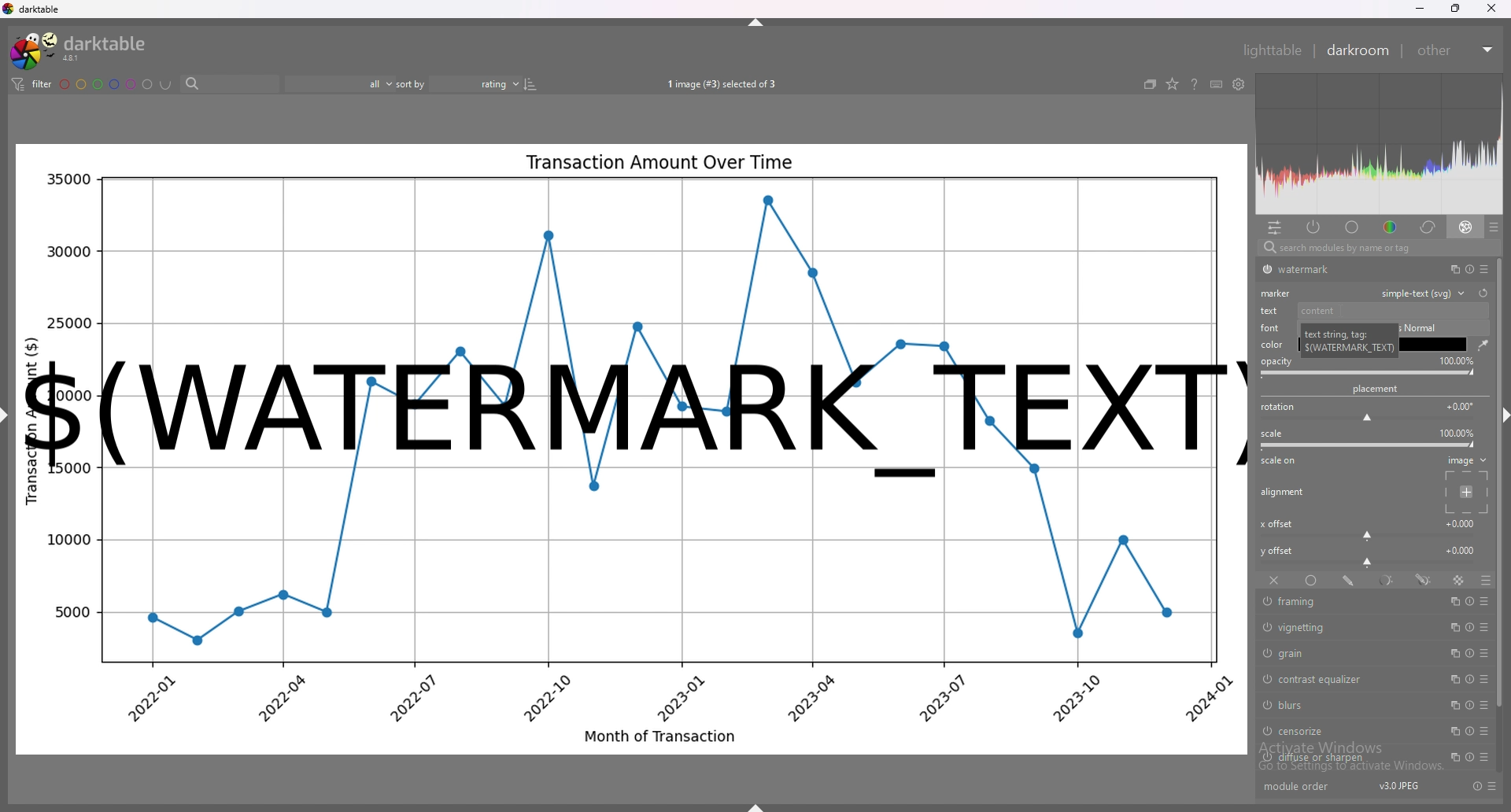 Image resolution: width=1511 pixels, height=812 pixels. I want to click on presets, so click(1486, 628).